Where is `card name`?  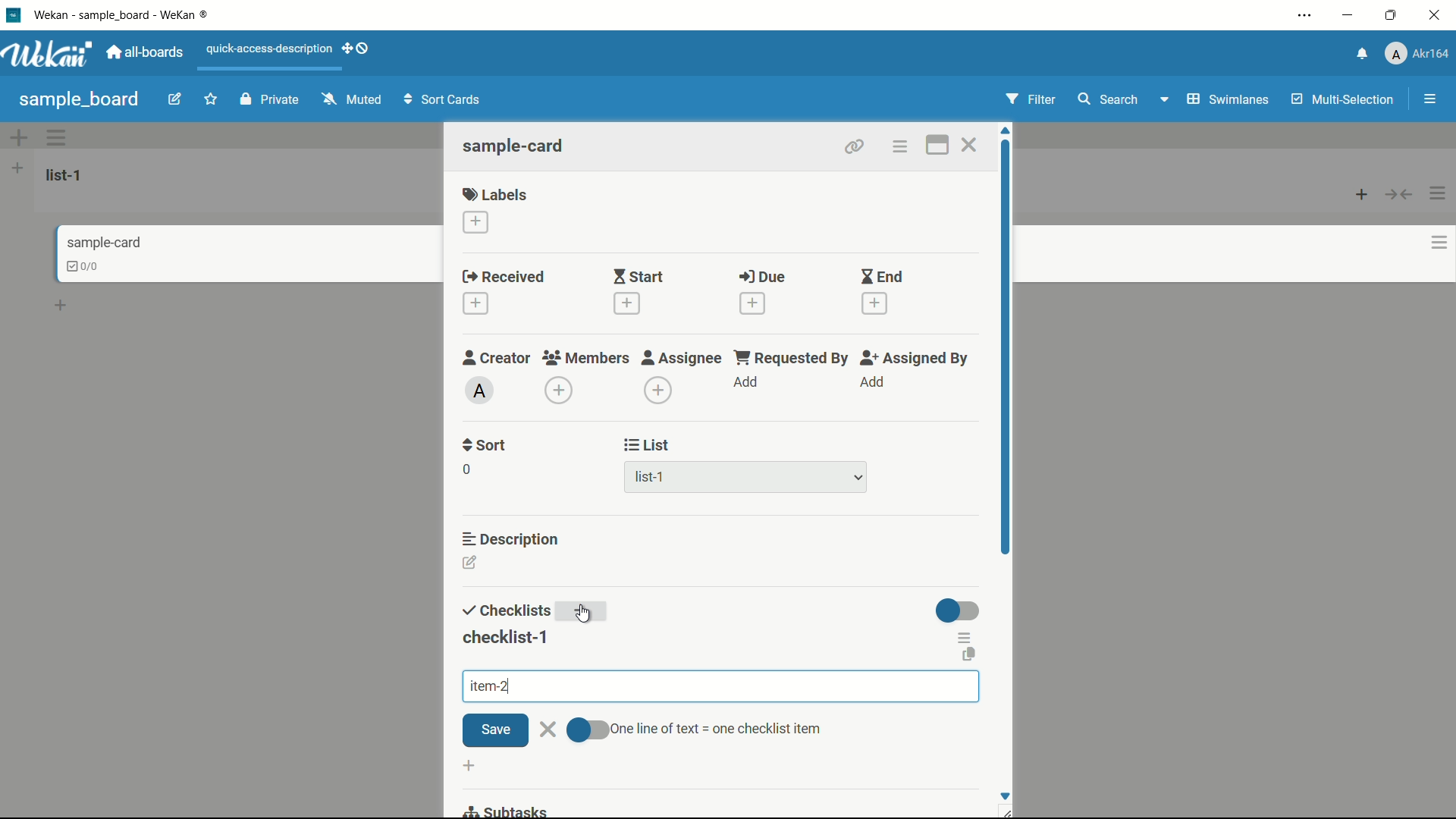 card name is located at coordinates (515, 146).